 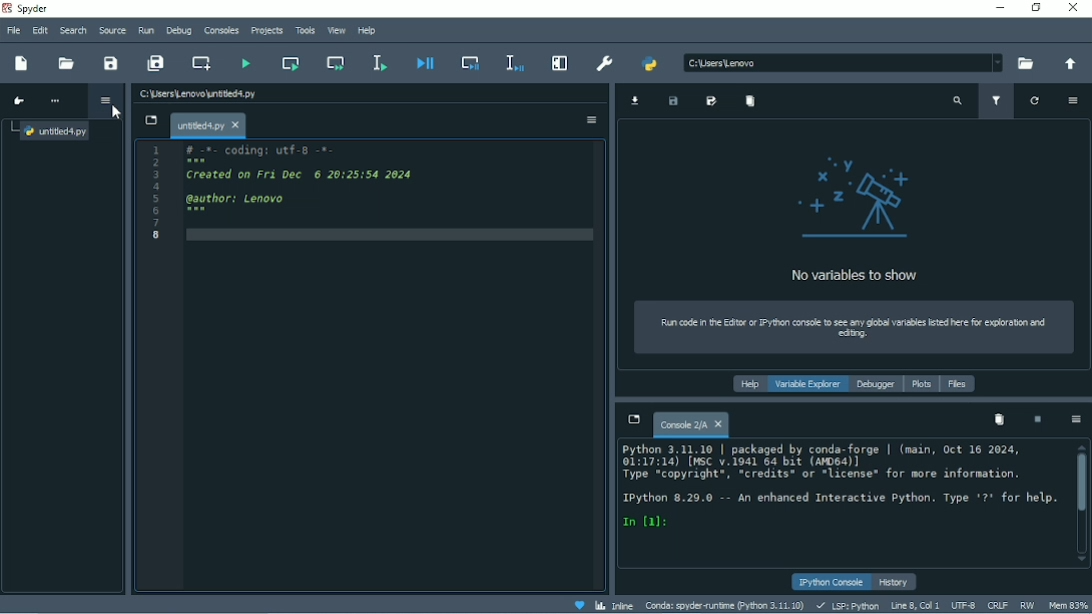 What do you see at coordinates (996, 103) in the screenshot?
I see `Filter variables` at bounding box center [996, 103].